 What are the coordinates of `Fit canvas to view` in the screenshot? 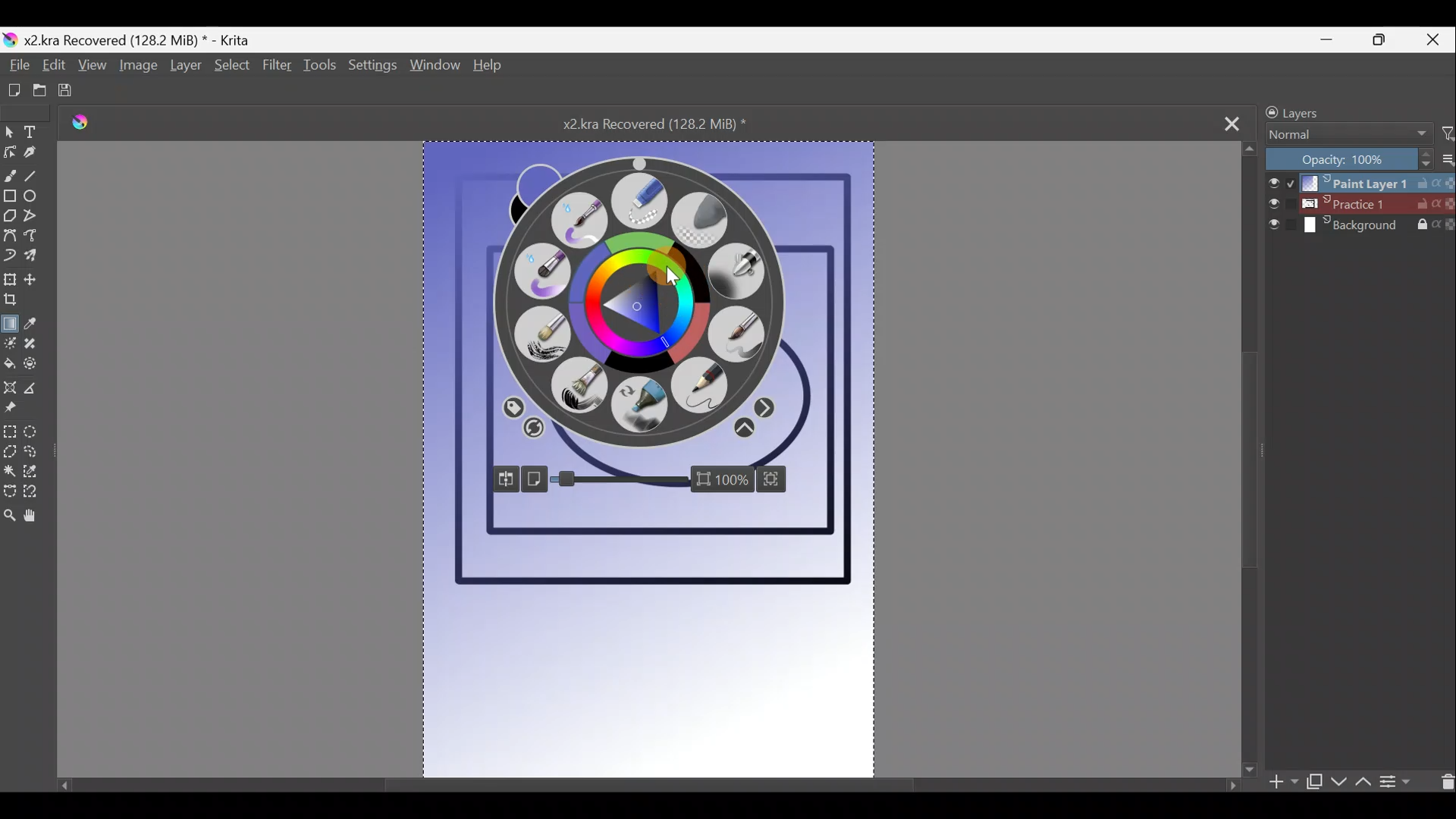 It's located at (785, 479).